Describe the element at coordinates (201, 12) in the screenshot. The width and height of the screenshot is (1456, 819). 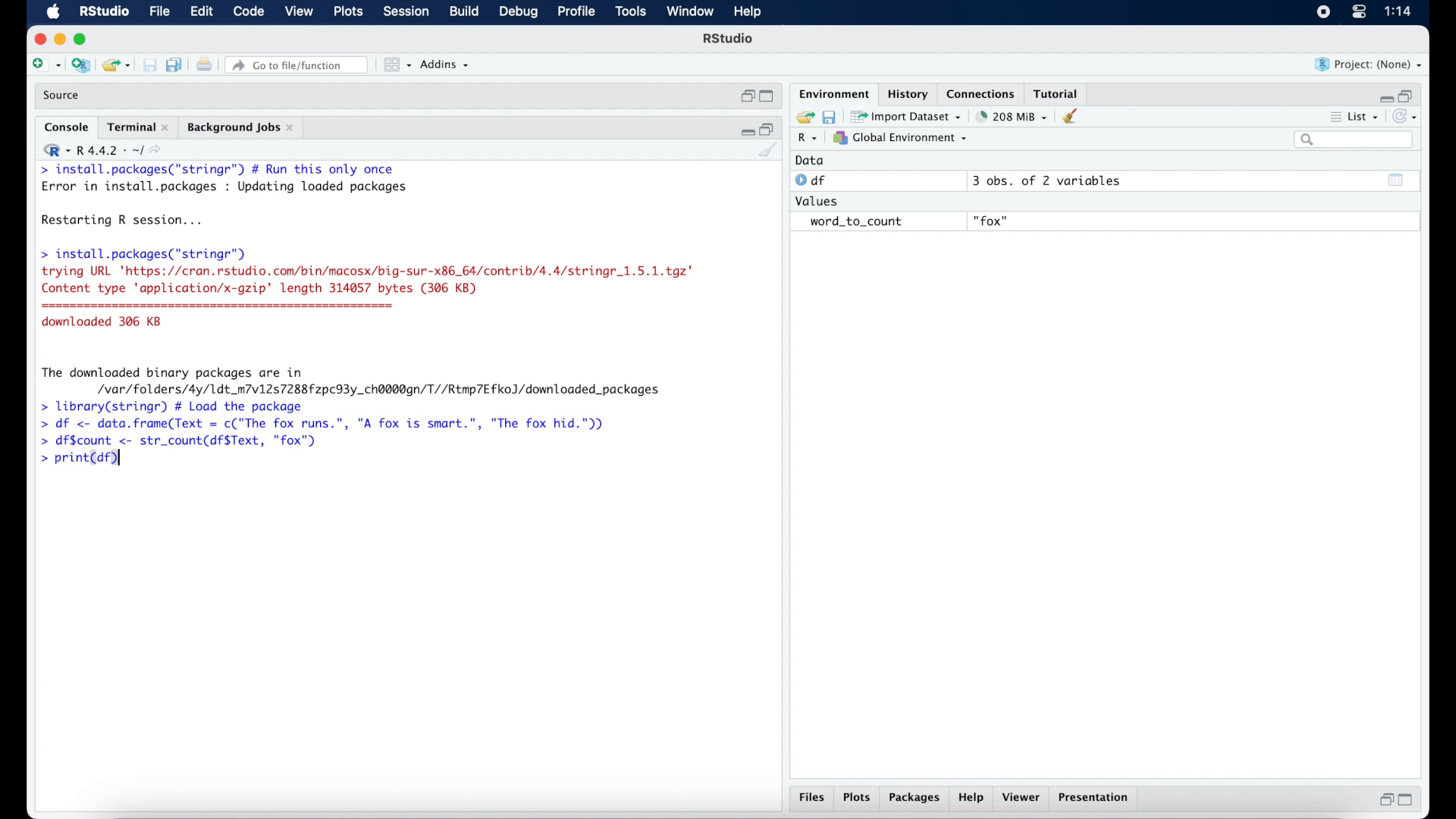
I see `edit` at that location.